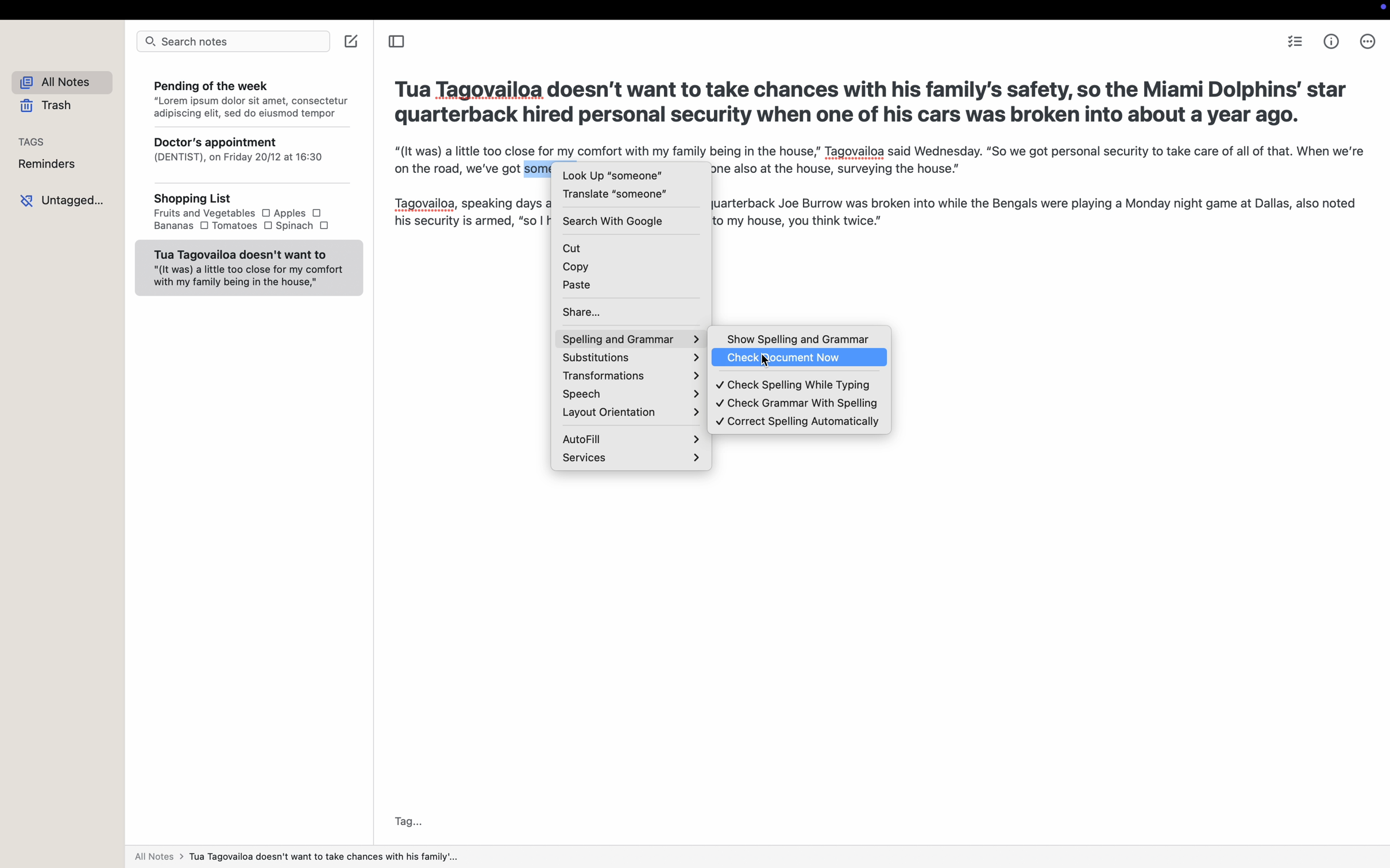 The image size is (1390, 868). I want to click on paste, so click(632, 288).